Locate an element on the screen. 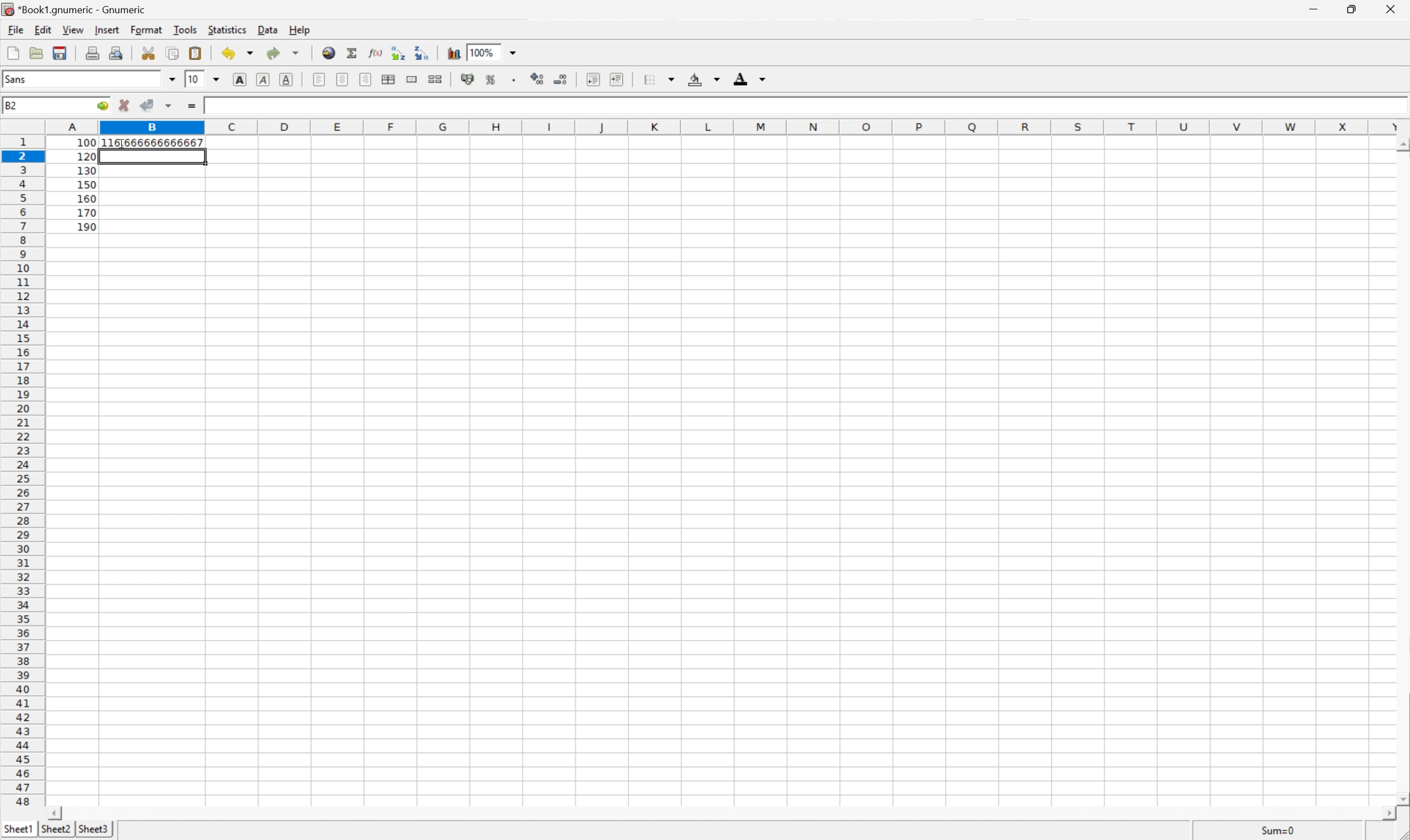 The height and width of the screenshot is (840, 1410). cursor is located at coordinates (120, 144).